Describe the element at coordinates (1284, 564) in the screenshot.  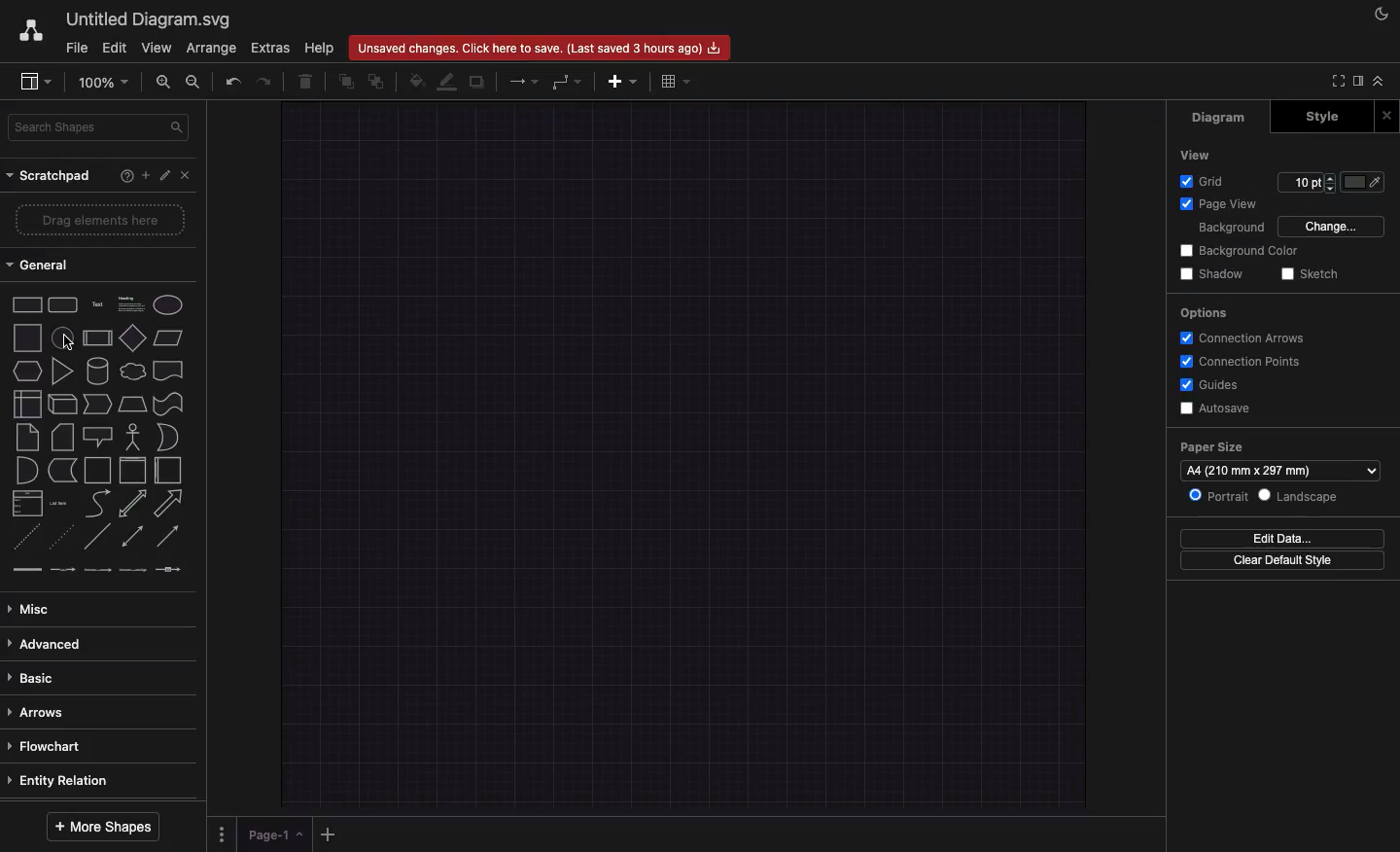
I see `Clear default style` at that location.